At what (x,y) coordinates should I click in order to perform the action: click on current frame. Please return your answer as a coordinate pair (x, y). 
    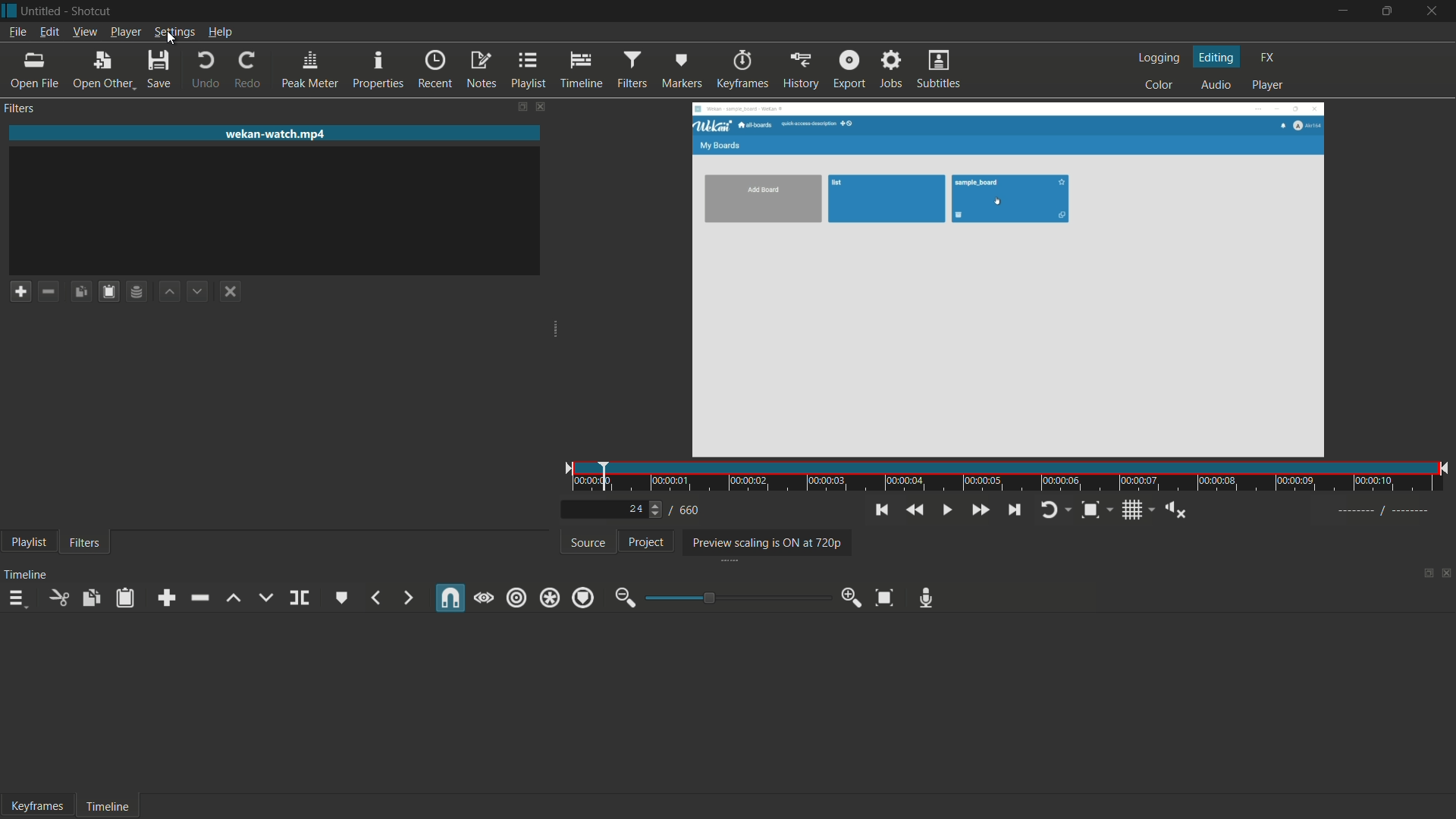
    Looking at the image, I should click on (635, 508).